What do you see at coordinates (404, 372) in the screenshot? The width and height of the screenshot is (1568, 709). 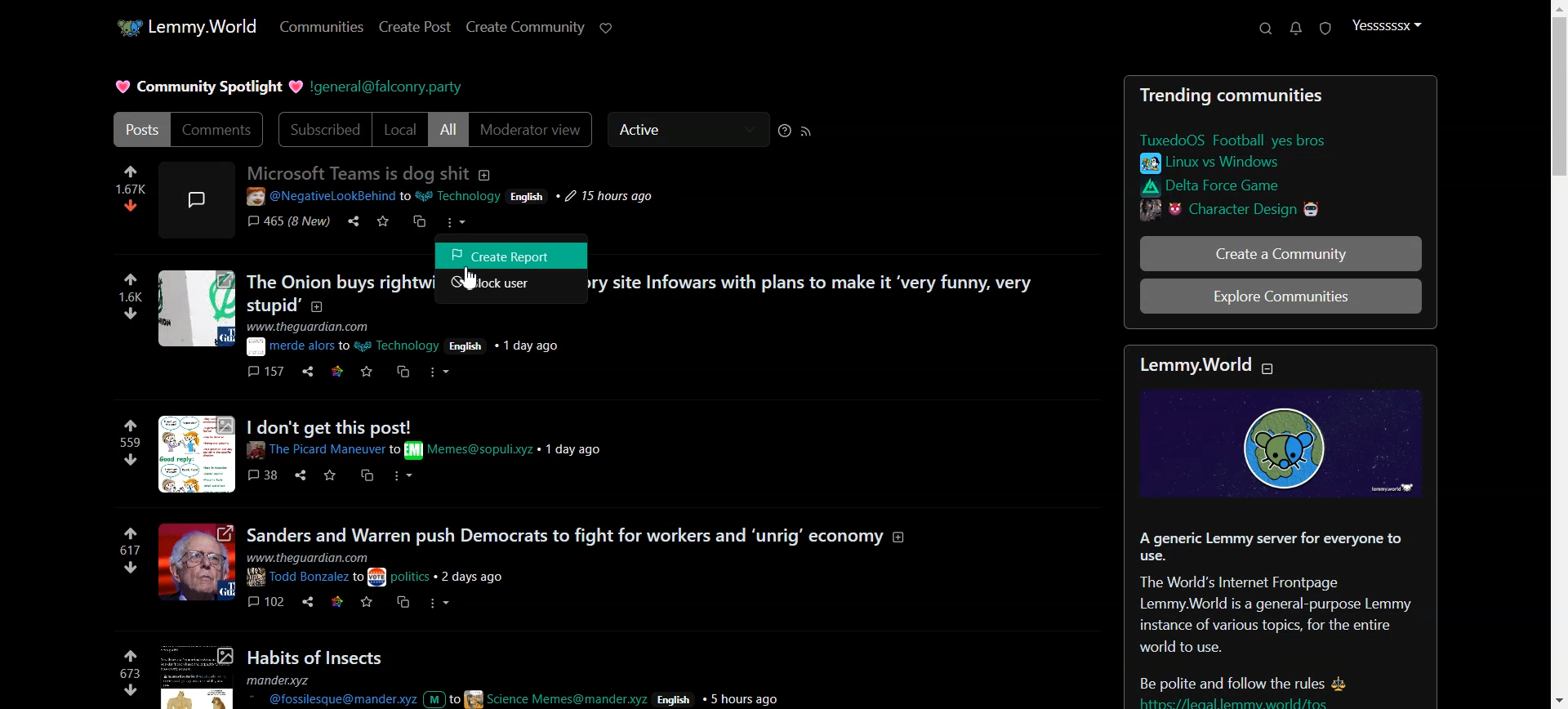 I see `cs` at bounding box center [404, 372].